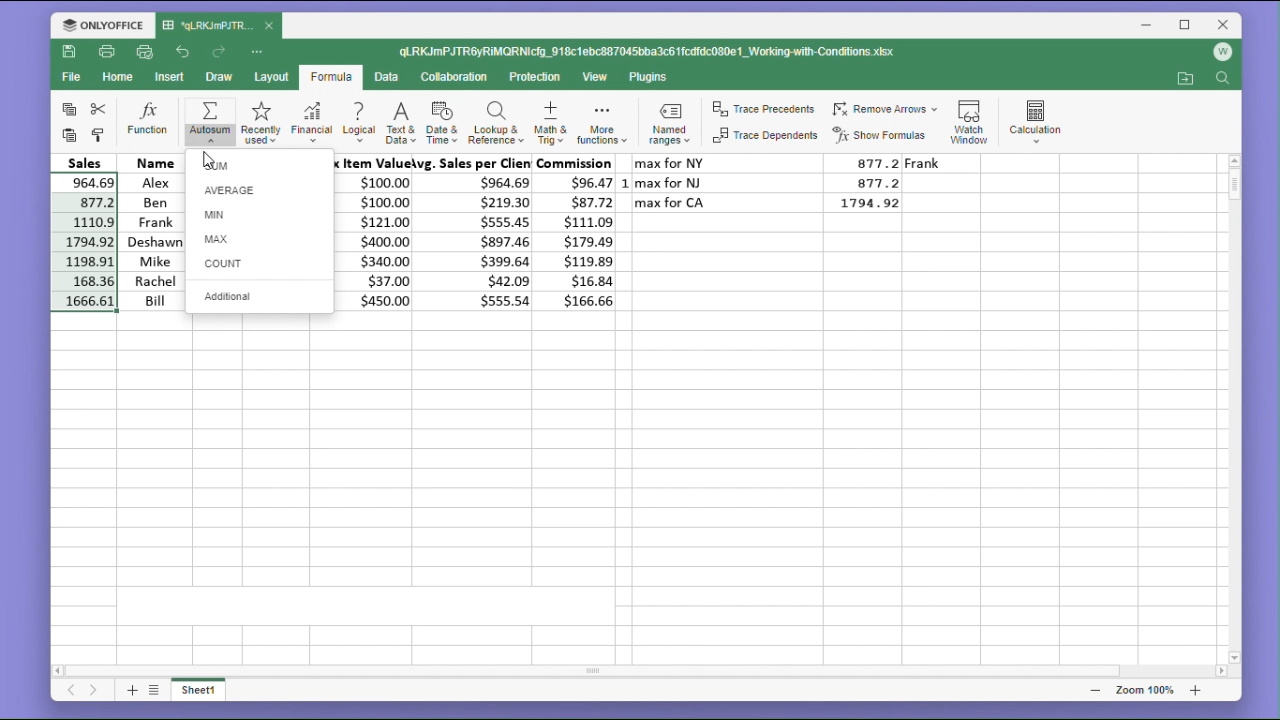 This screenshot has height=720, width=1280. I want to click on remove arrows, so click(885, 106).